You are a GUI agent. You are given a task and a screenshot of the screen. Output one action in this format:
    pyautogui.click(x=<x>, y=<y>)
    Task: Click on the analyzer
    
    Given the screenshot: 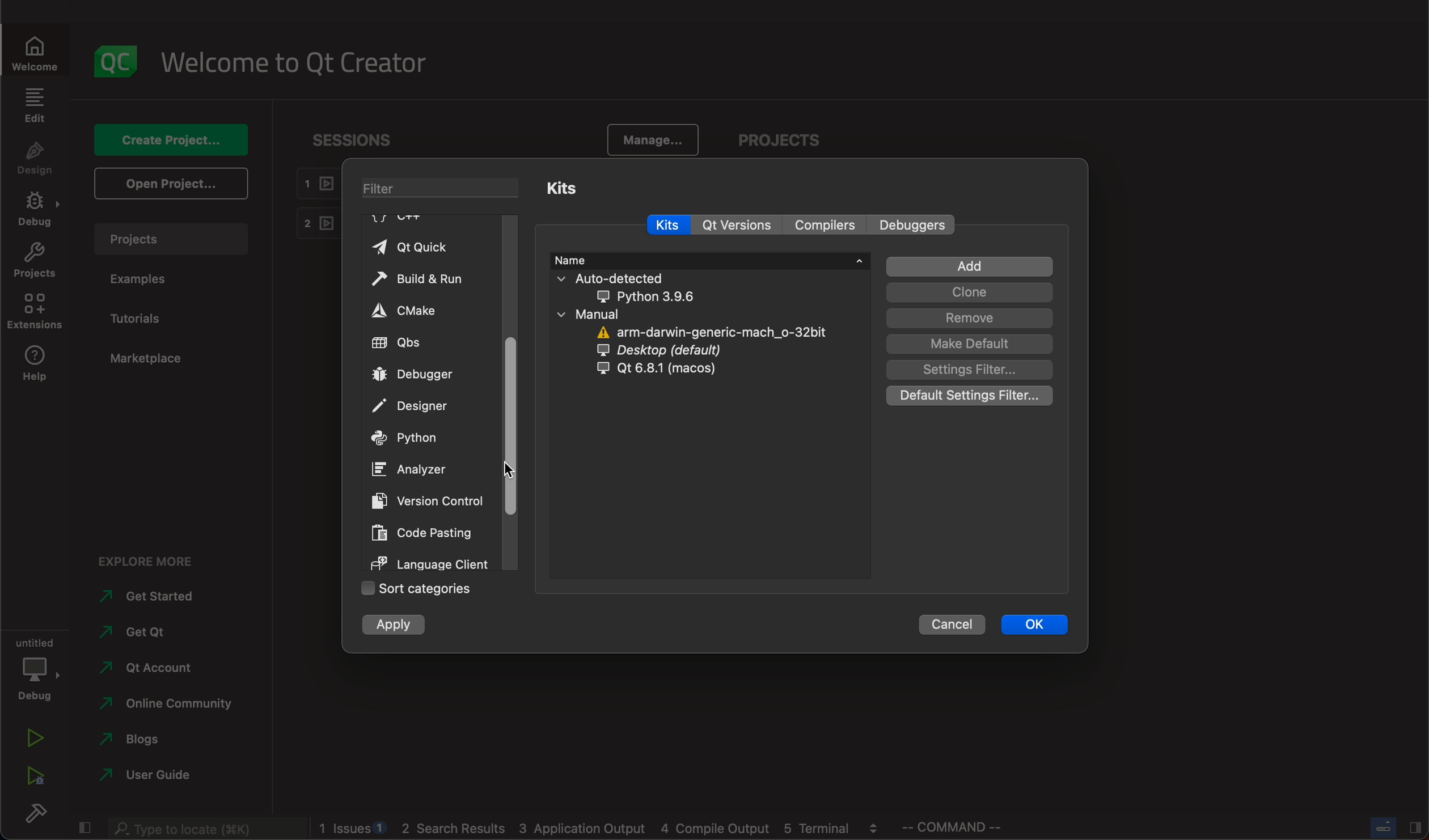 What is the action you would take?
    pyautogui.click(x=418, y=470)
    